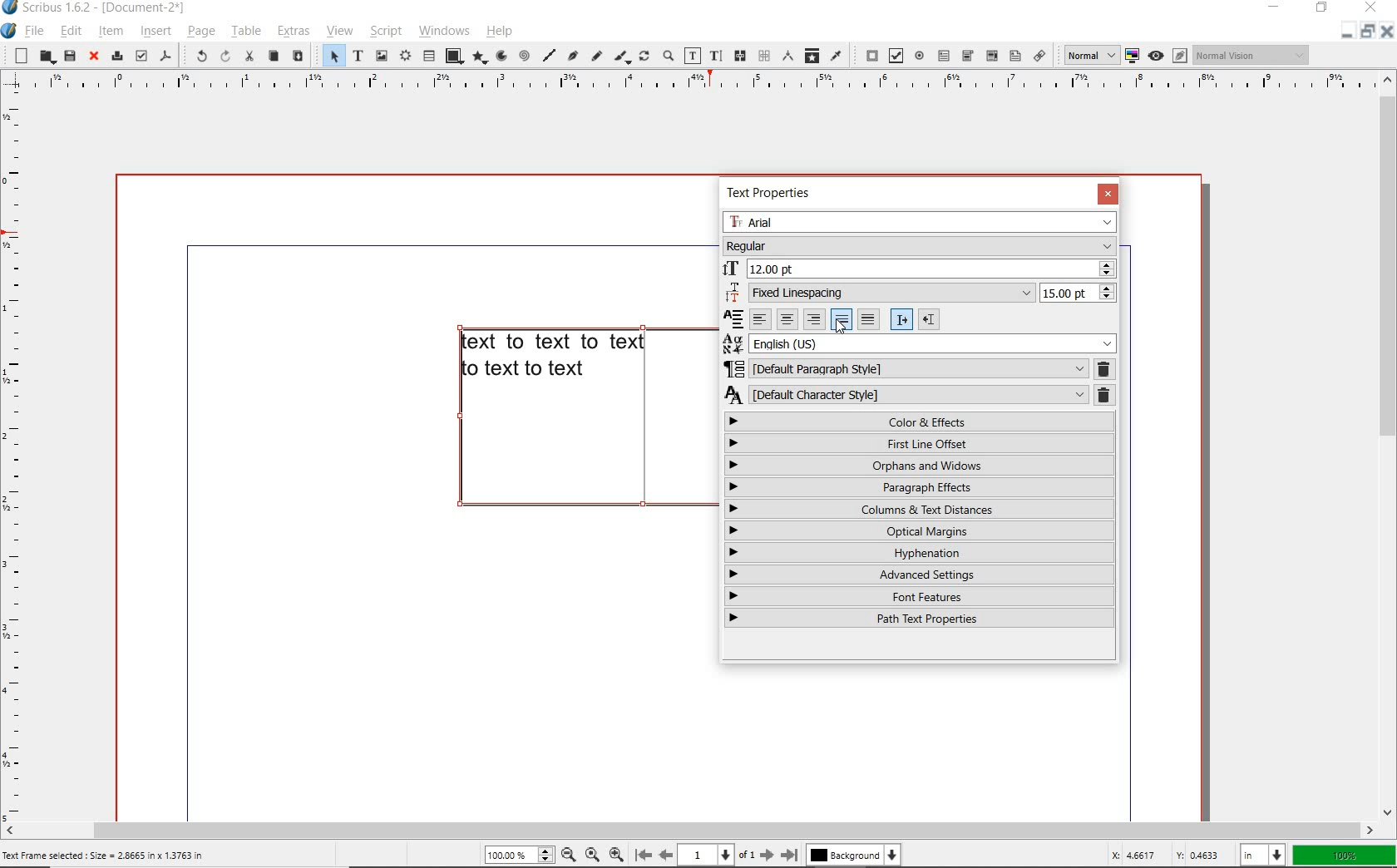 Image resolution: width=1397 pixels, height=868 pixels. I want to click on ADVANCED SETTINGS, so click(921, 575).